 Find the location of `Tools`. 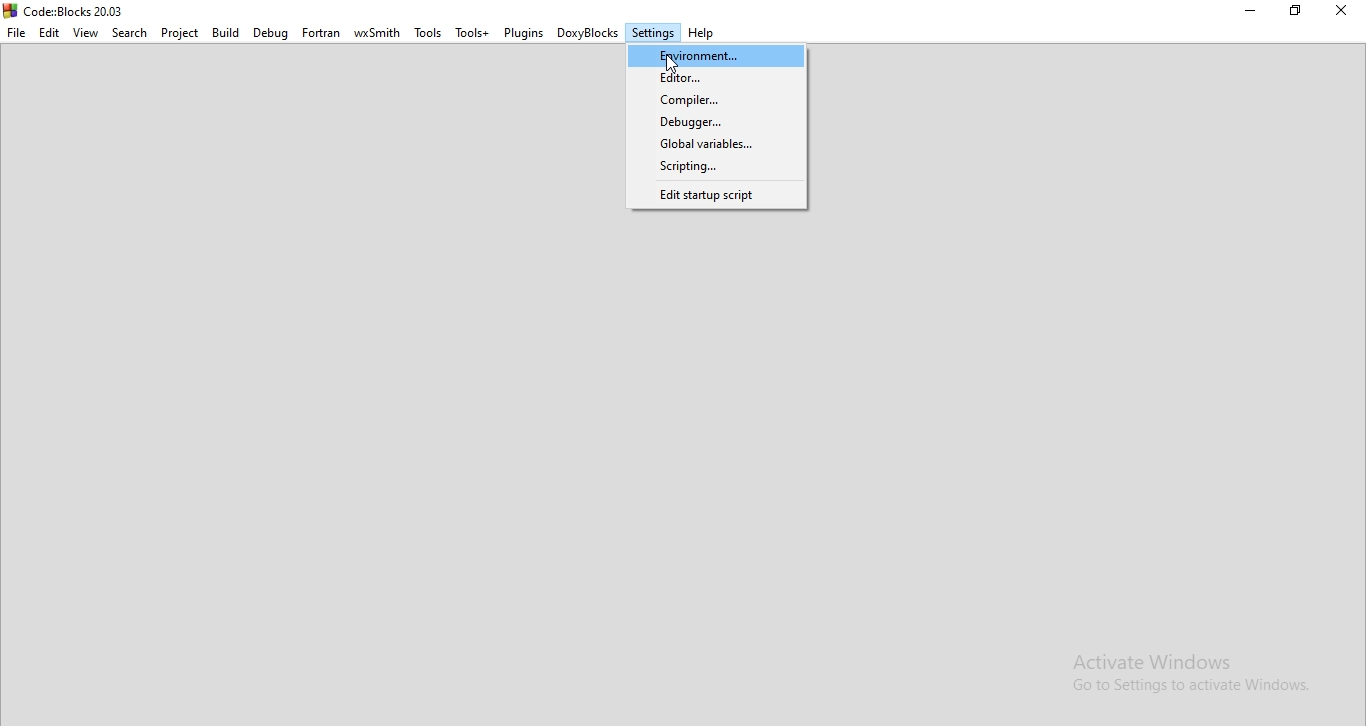

Tools is located at coordinates (429, 34).